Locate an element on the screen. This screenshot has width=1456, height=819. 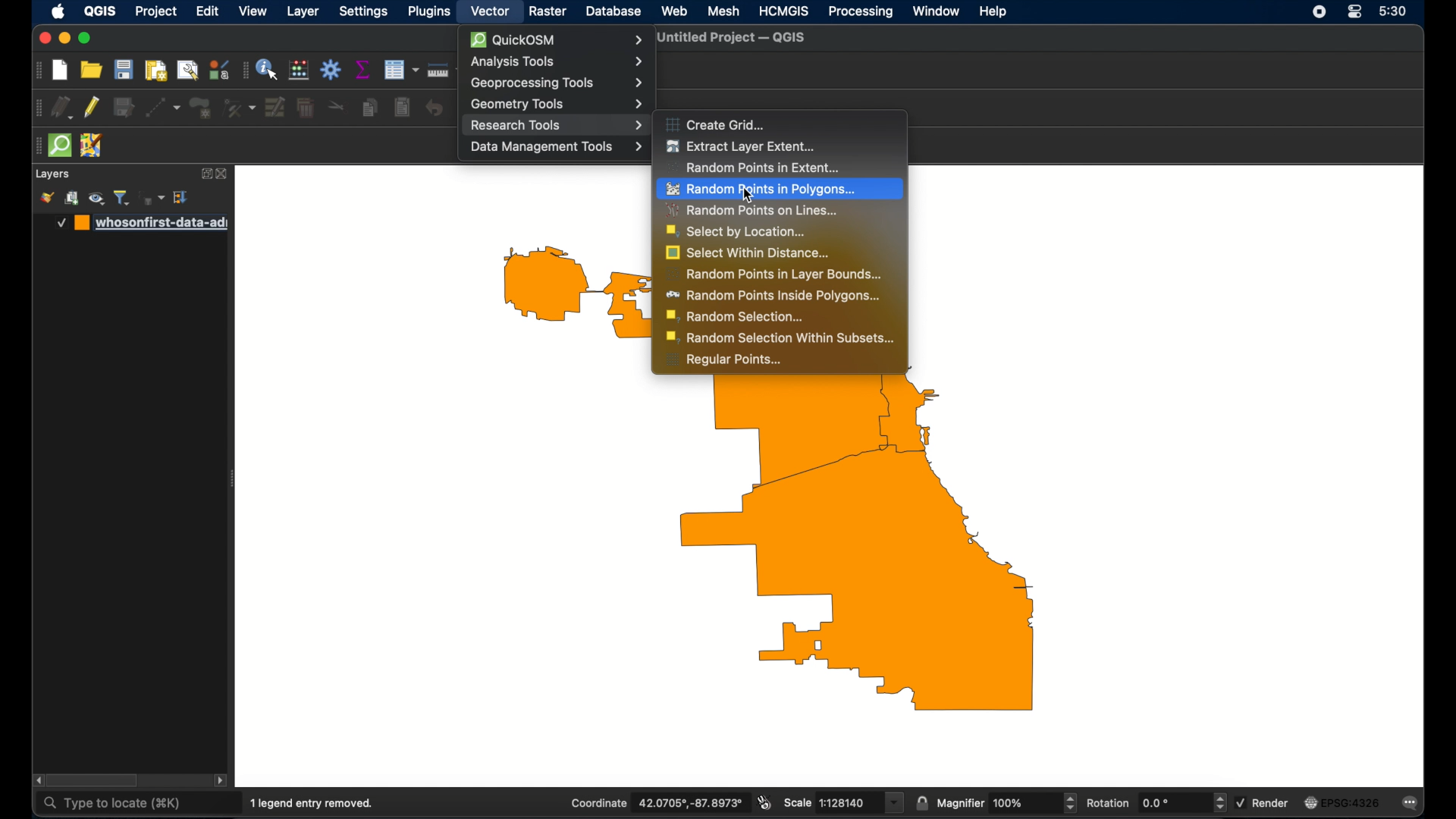
web is located at coordinates (674, 11).